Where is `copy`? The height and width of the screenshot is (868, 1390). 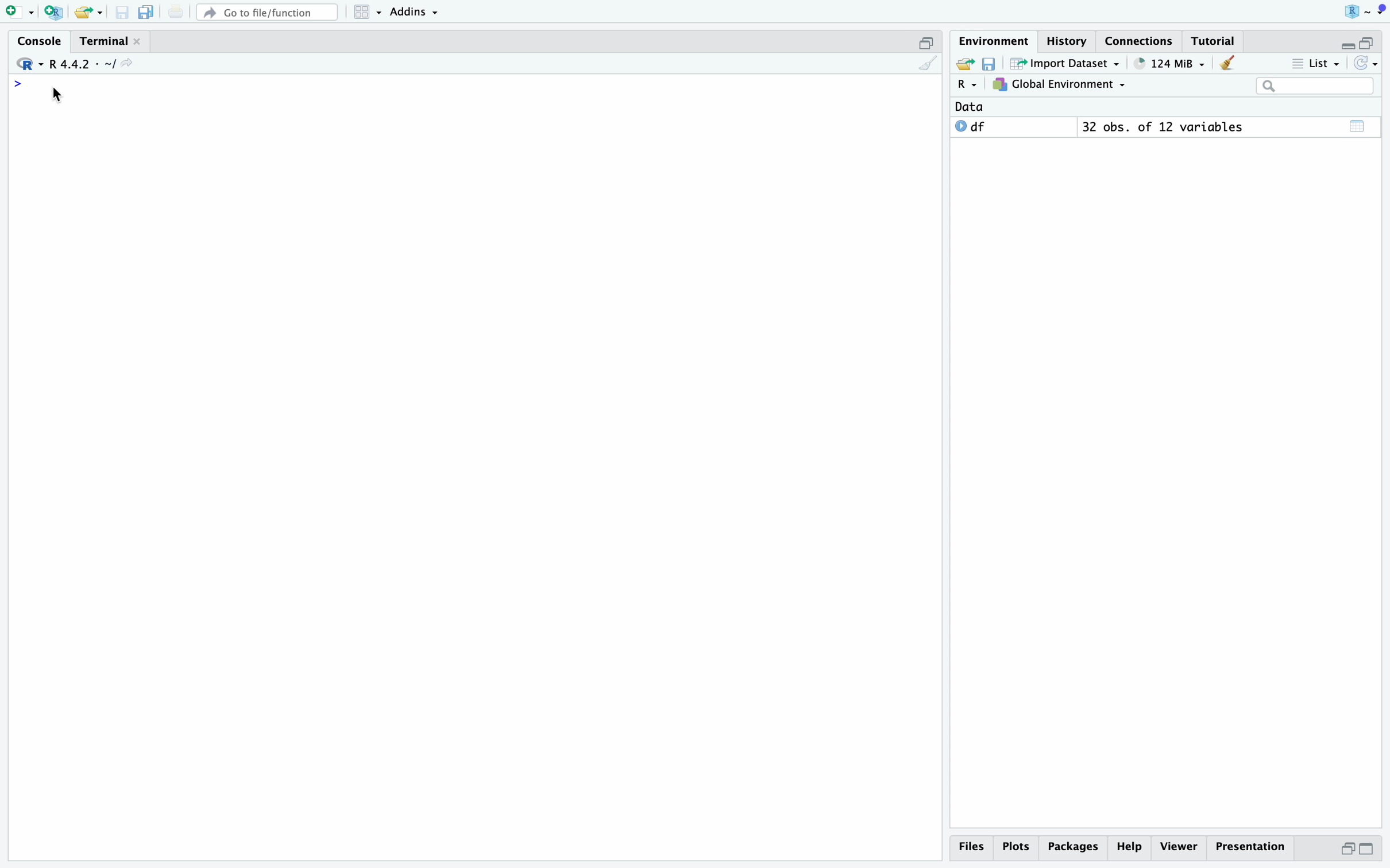 copy is located at coordinates (146, 12).